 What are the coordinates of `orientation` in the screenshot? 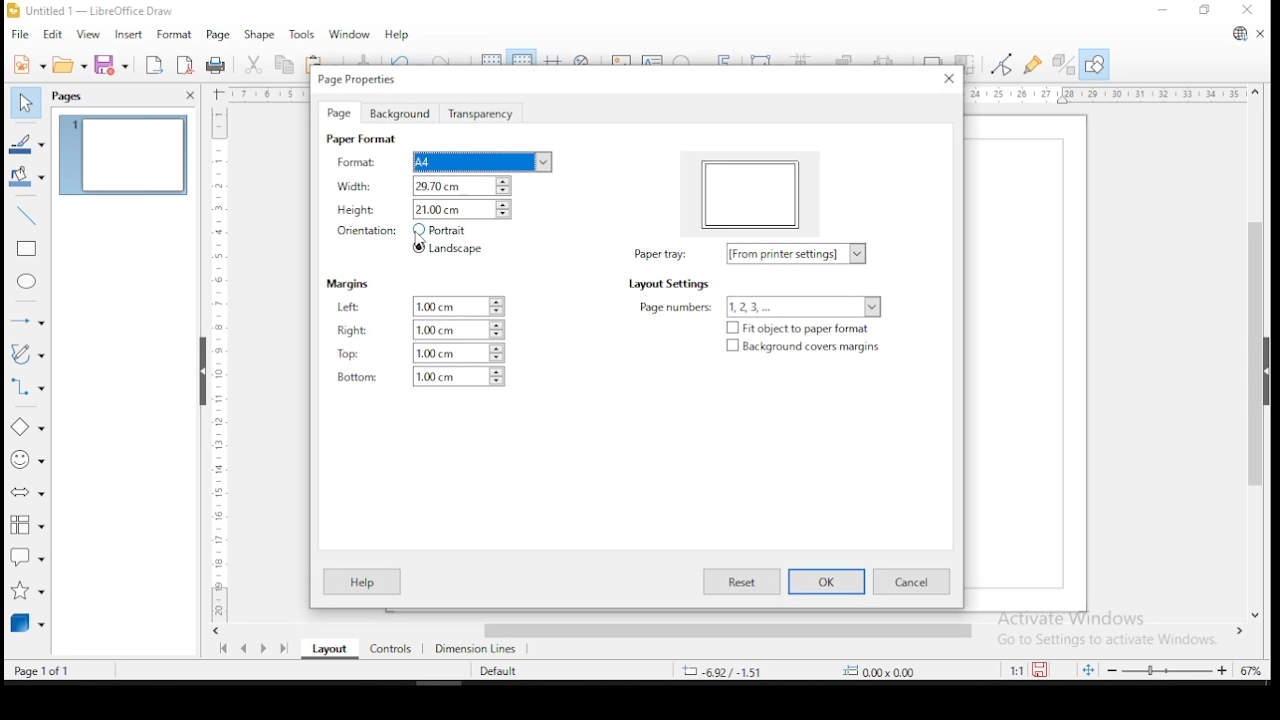 It's located at (368, 232).